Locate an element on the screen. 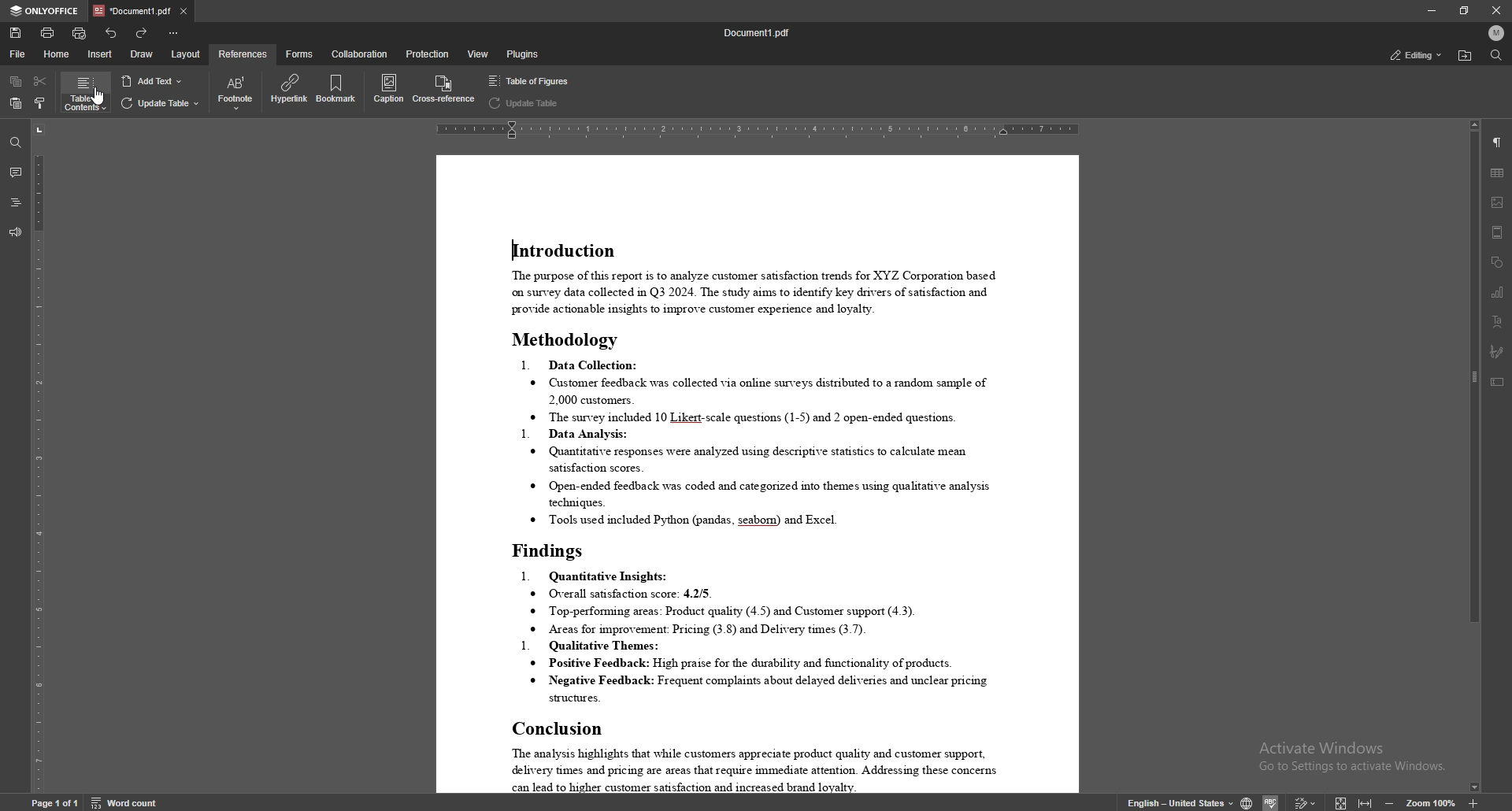 The height and width of the screenshot is (811, 1512). table of figures is located at coordinates (528, 80).